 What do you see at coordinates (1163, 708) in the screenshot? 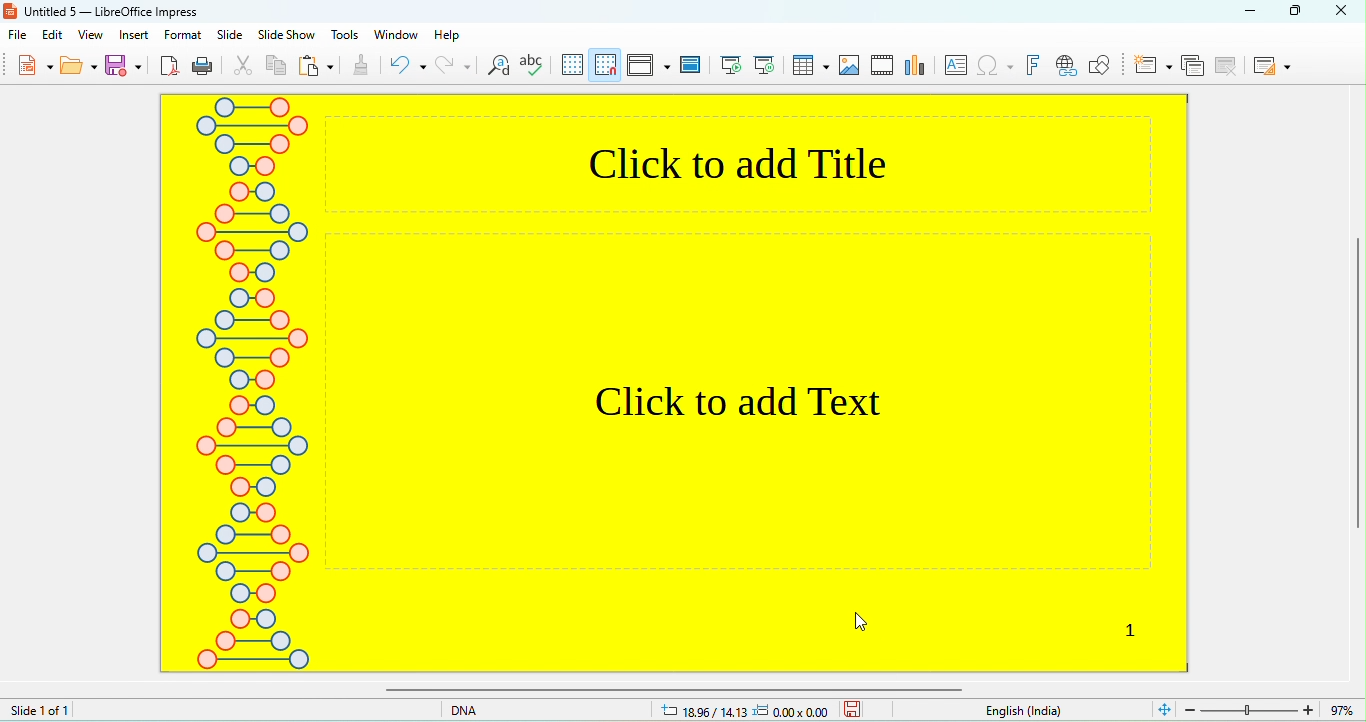
I see `fit to current window` at bounding box center [1163, 708].